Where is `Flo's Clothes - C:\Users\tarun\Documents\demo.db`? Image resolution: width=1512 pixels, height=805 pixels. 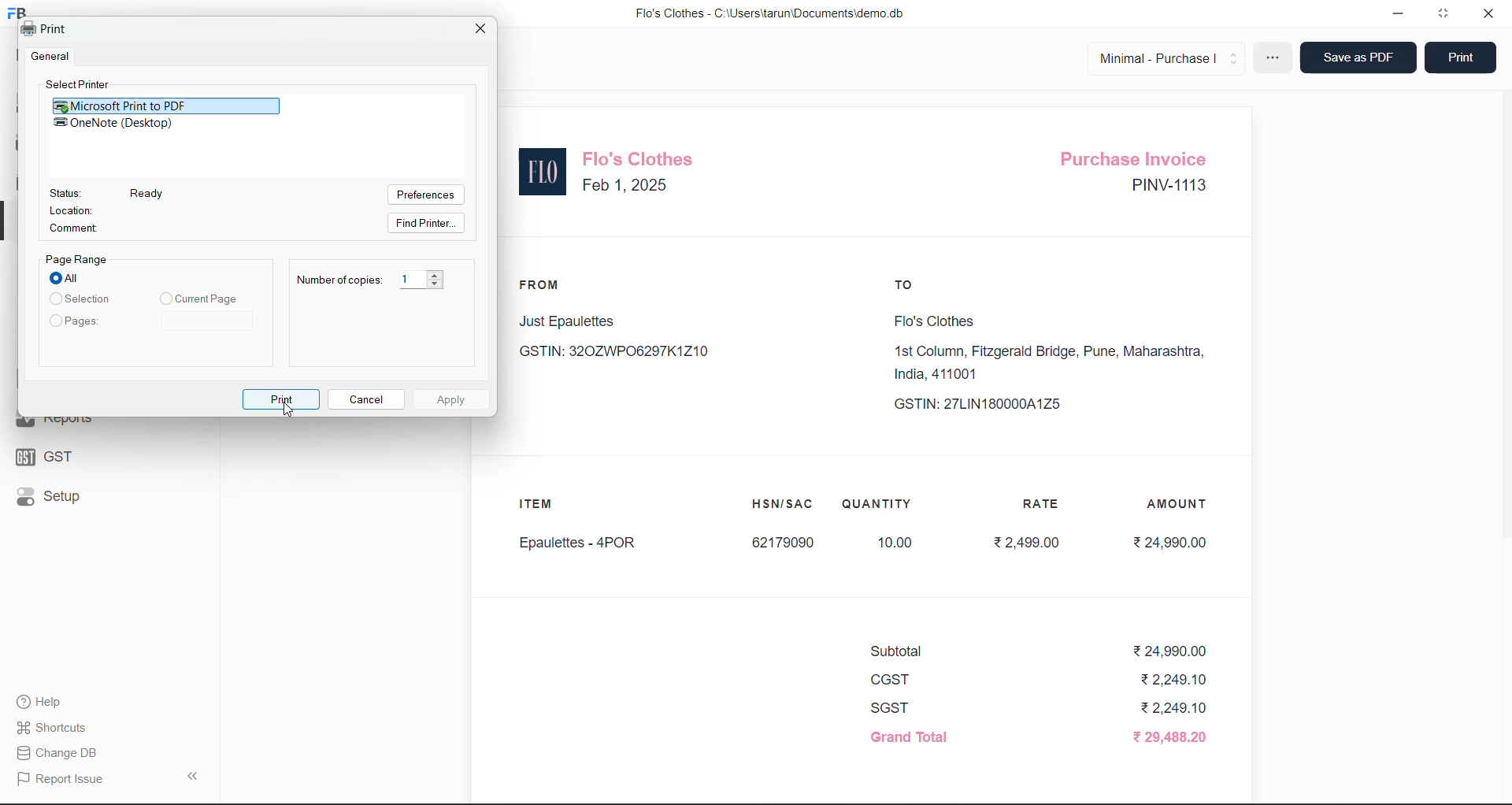
Flo's Clothes - C:\Users\tarun\Documents\demo.db is located at coordinates (769, 15).